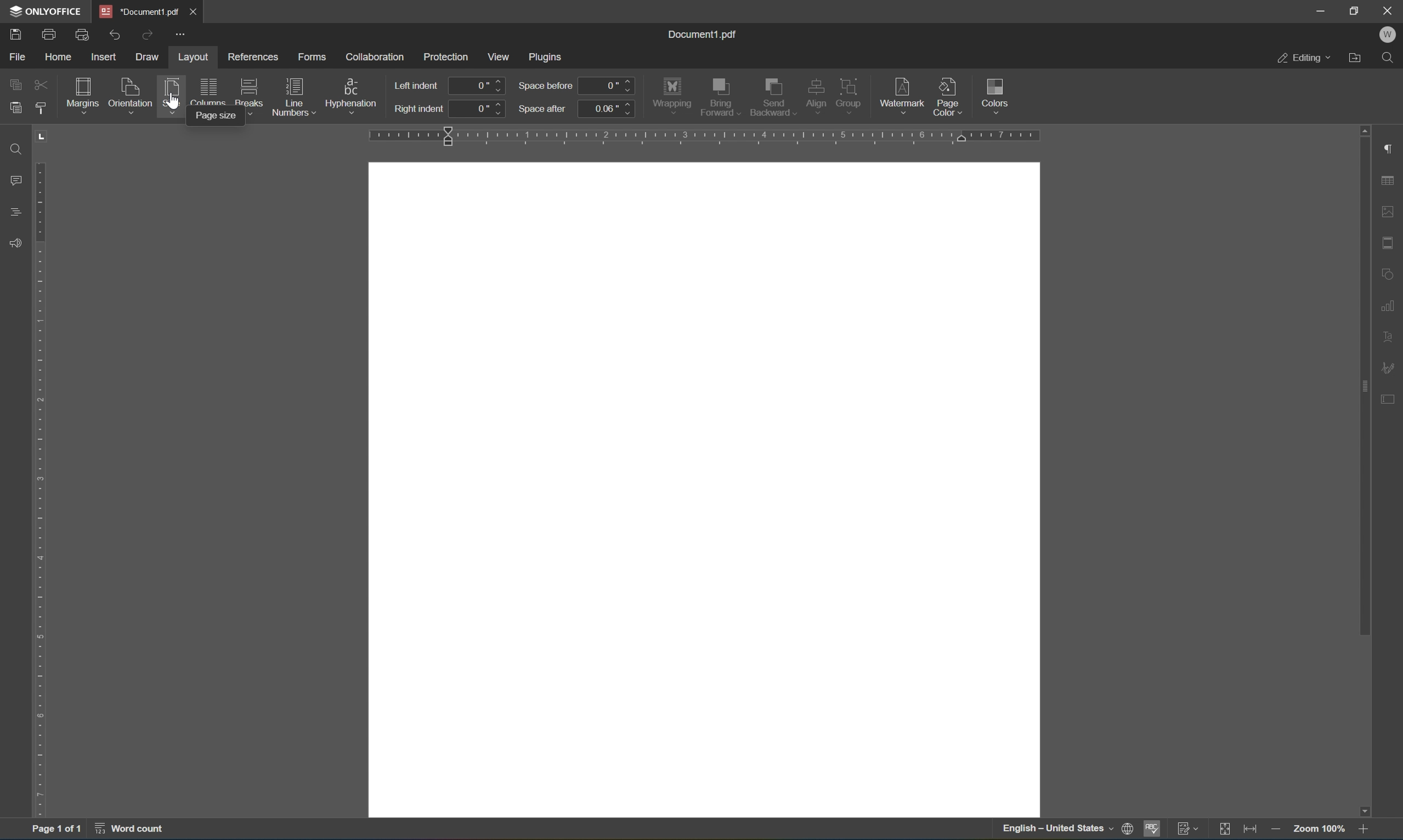 This screenshot has width=1403, height=840. What do you see at coordinates (446, 55) in the screenshot?
I see `protection` at bounding box center [446, 55].